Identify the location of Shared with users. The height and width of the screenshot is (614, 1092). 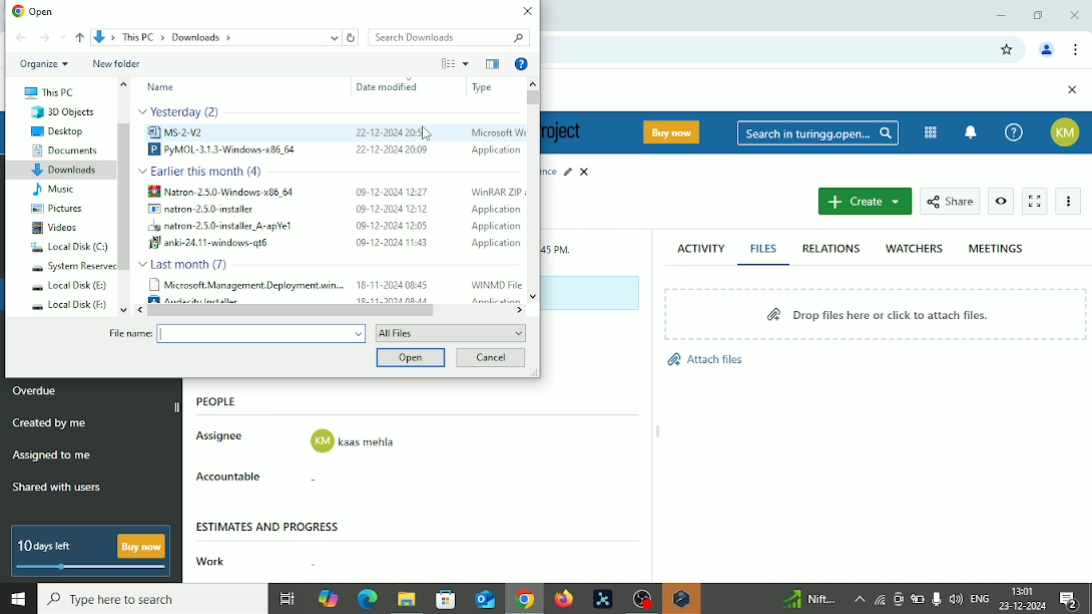
(58, 489).